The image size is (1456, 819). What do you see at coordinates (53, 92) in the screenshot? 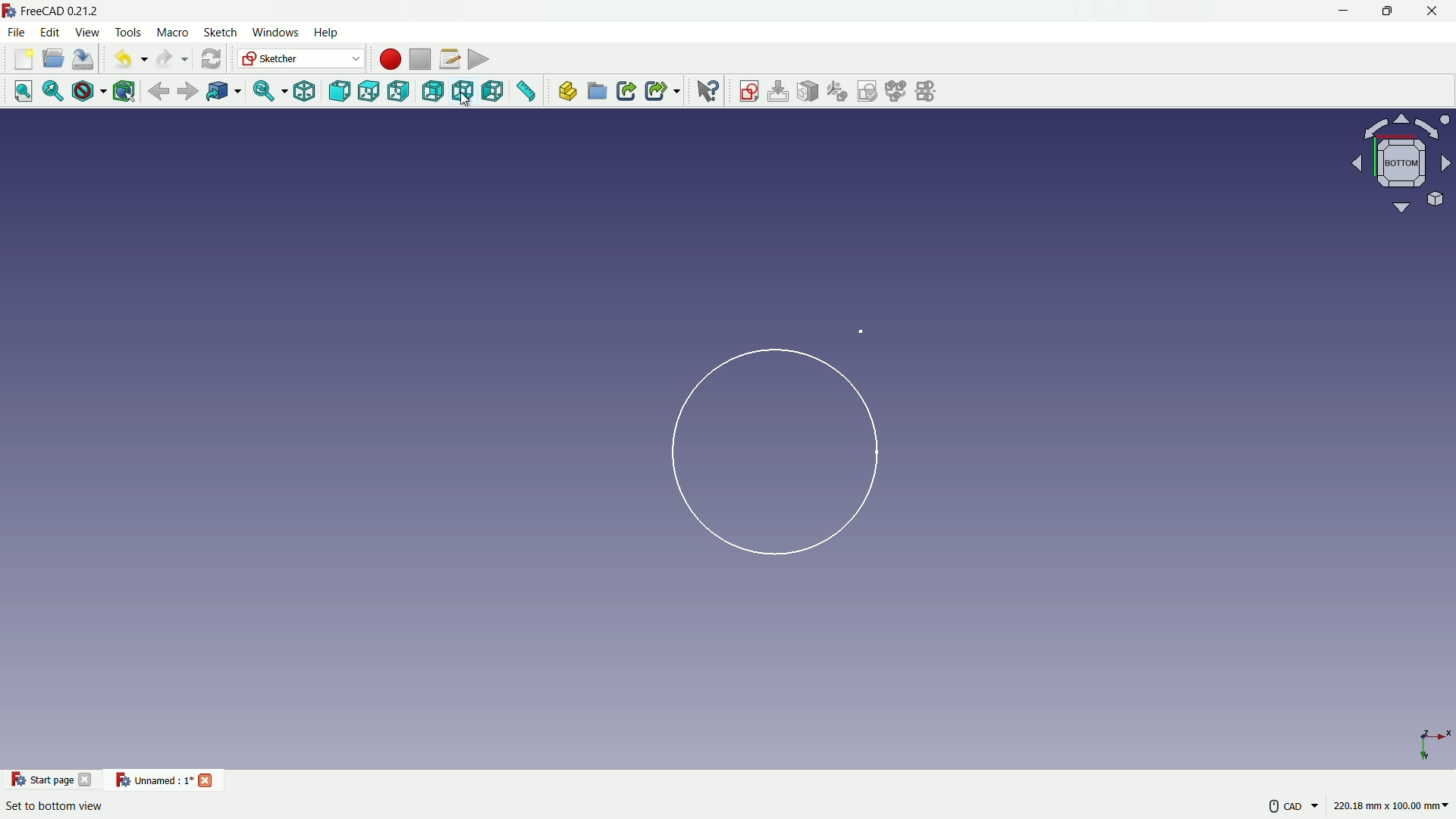
I see `fit selection` at bounding box center [53, 92].